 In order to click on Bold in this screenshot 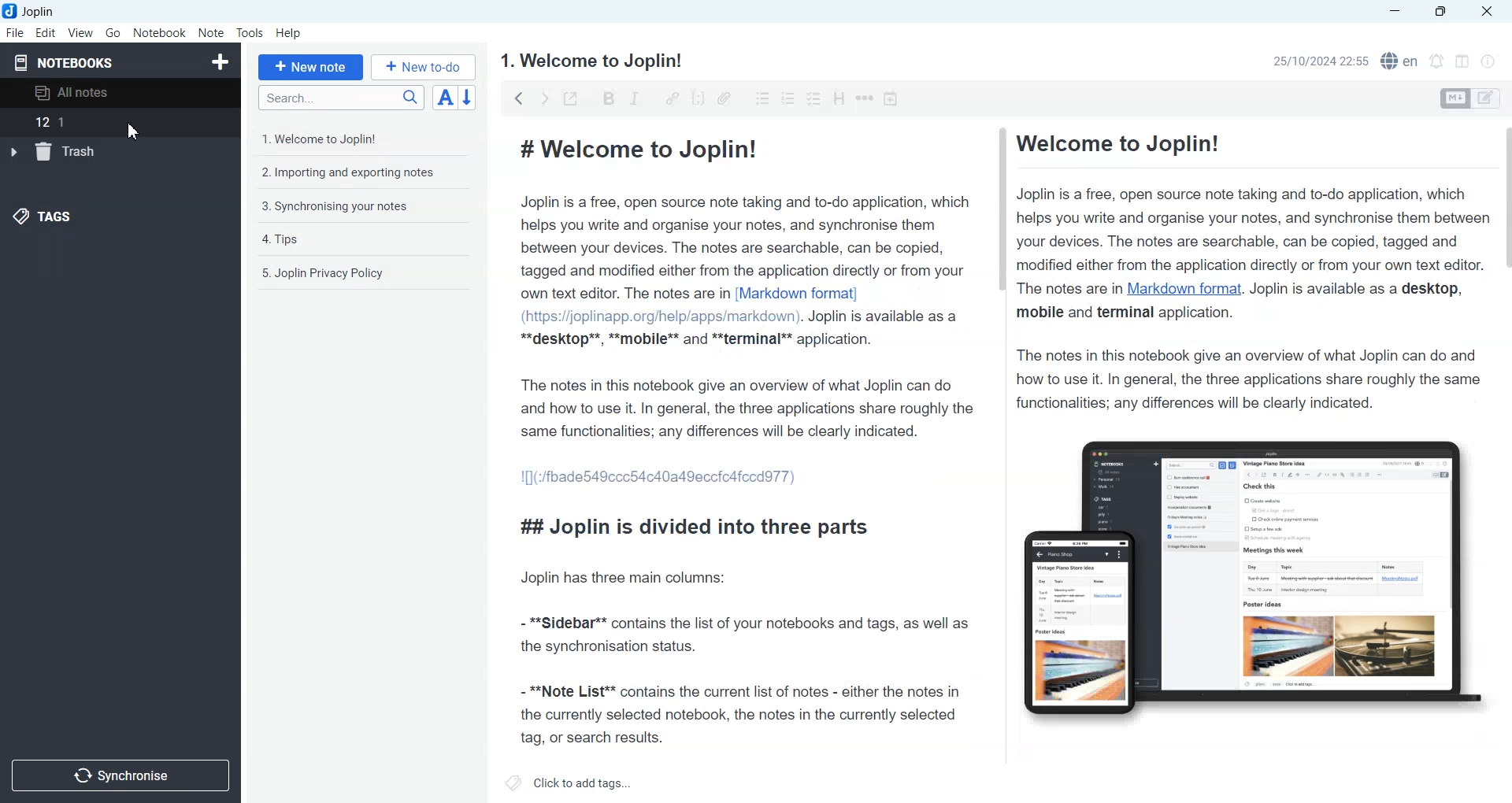, I will do `click(606, 98)`.